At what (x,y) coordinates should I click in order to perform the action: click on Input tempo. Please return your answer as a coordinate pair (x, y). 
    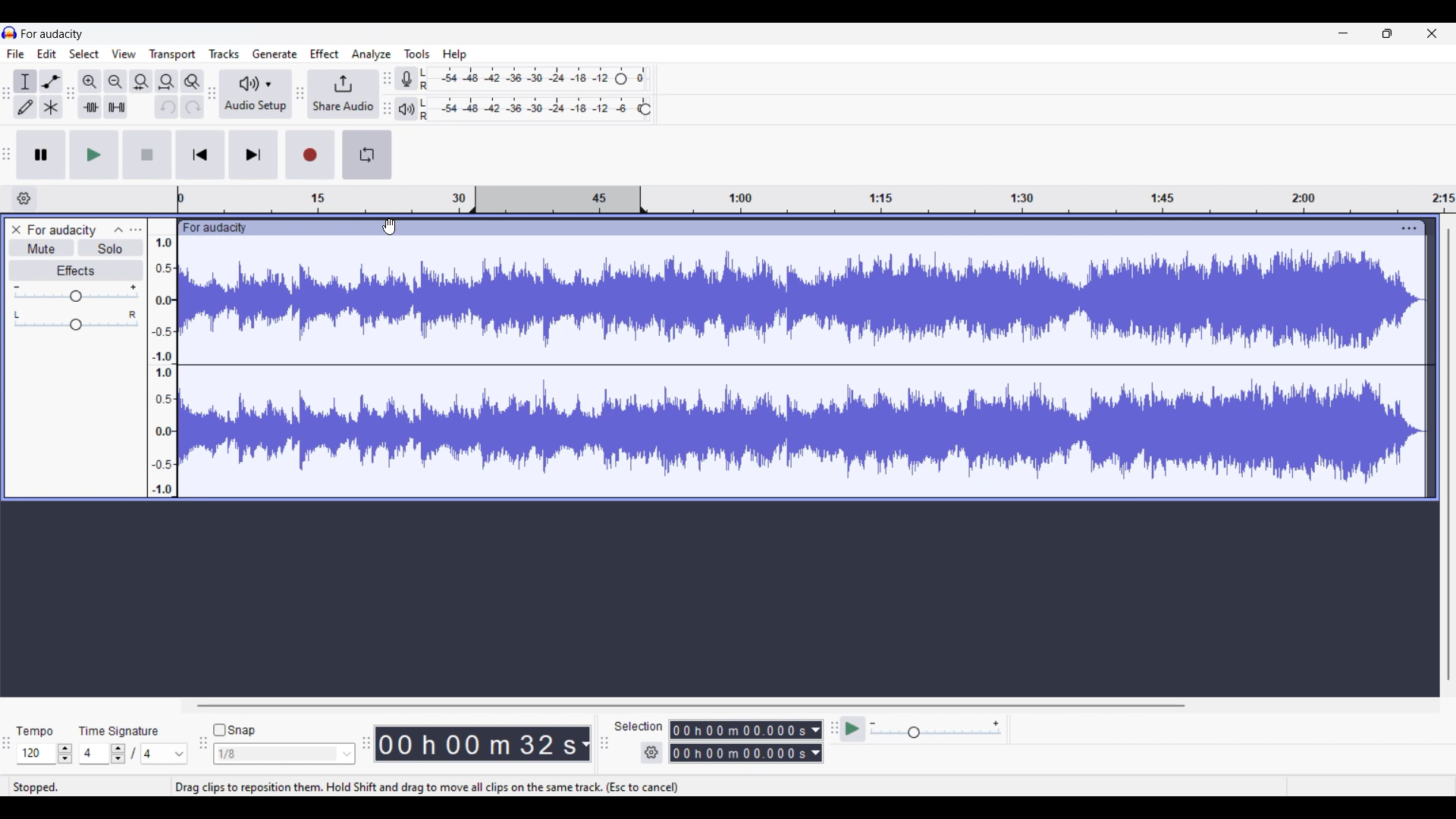
    Looking at the image, I should click on (35, 753).